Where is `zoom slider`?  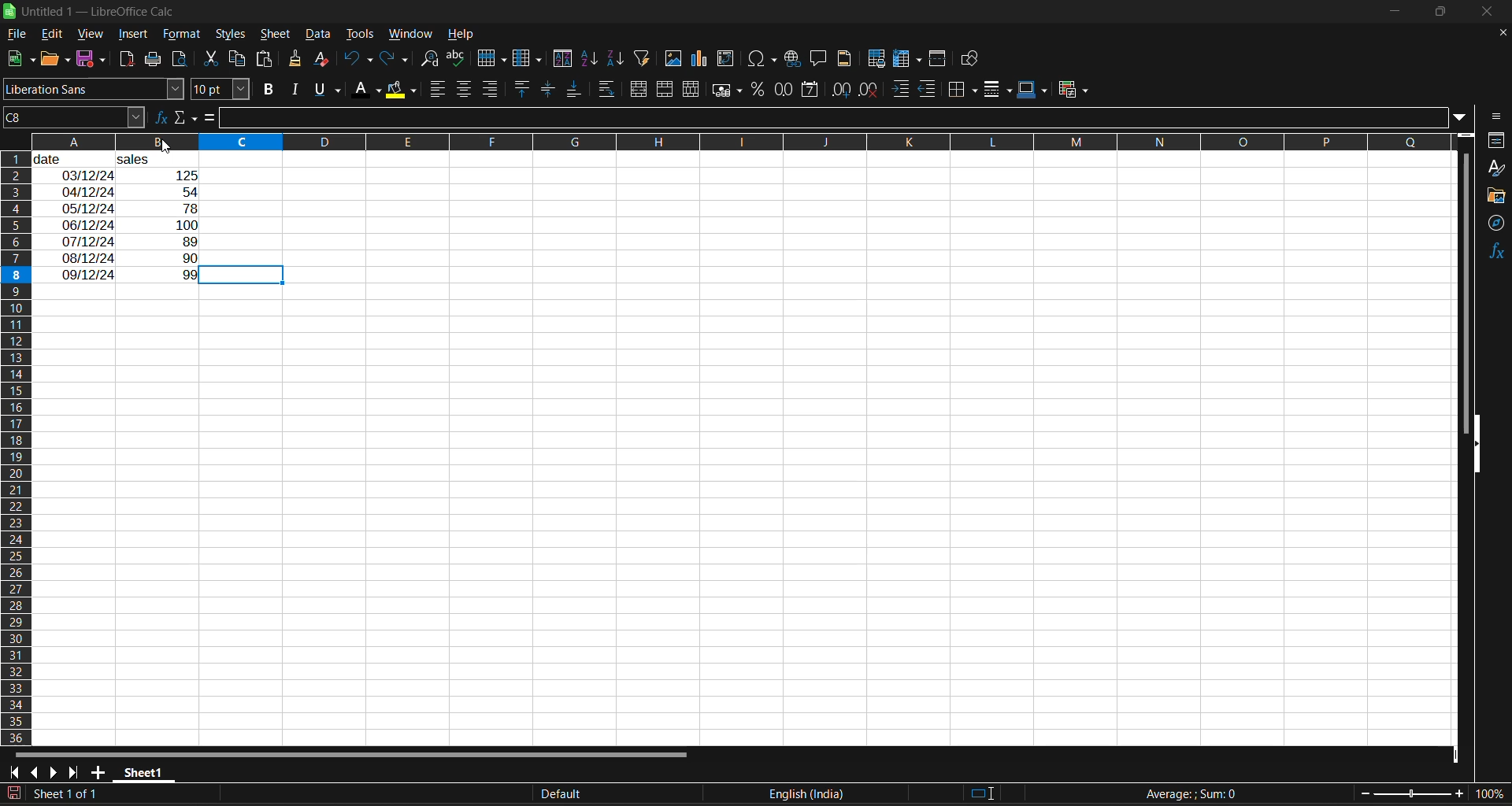 zoom slider is located at coordinates (1413, 793).